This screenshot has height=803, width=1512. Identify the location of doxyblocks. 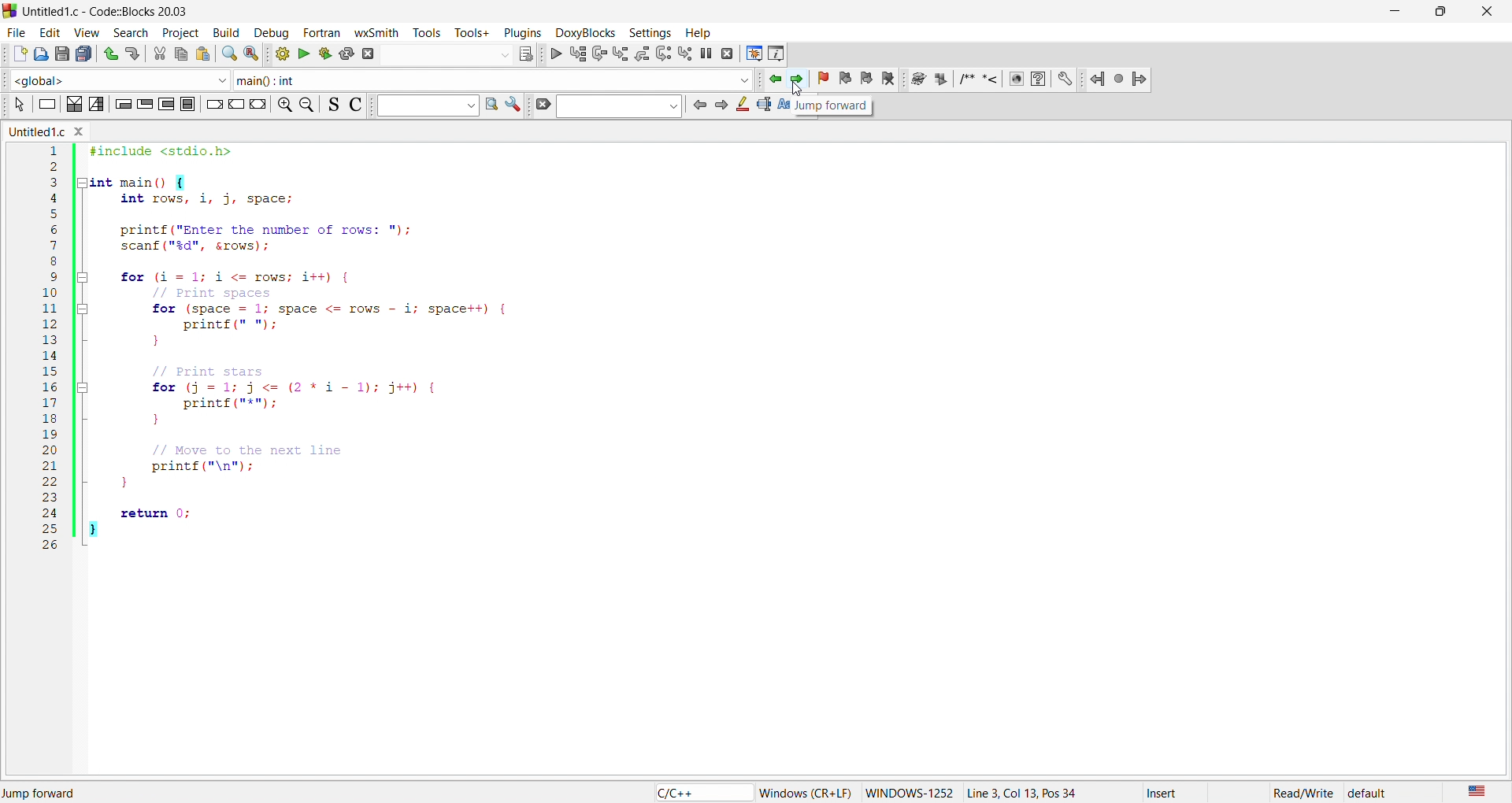
(586, 31).